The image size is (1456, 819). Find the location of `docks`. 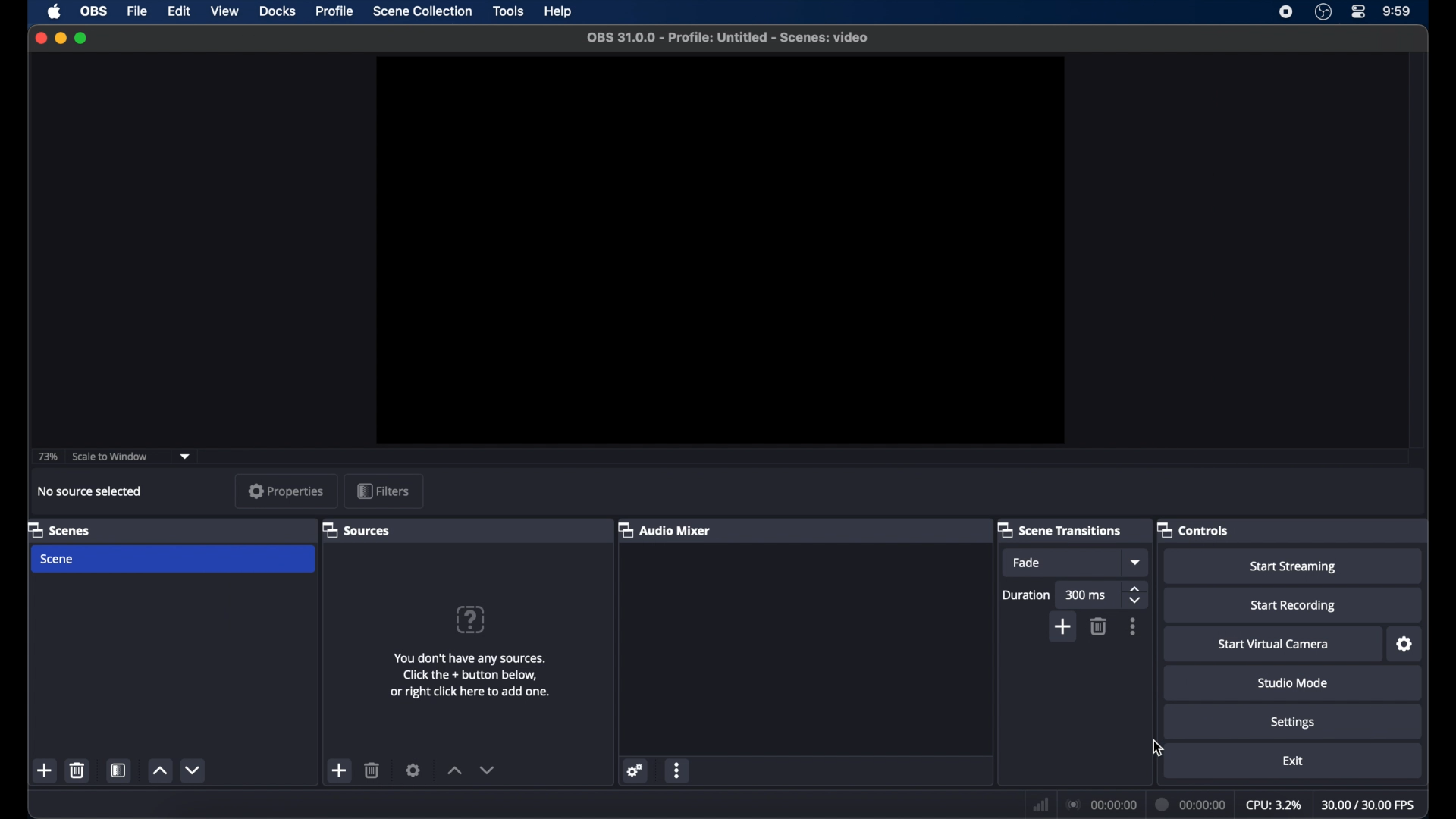

docks is located at coordinates (278, 11).